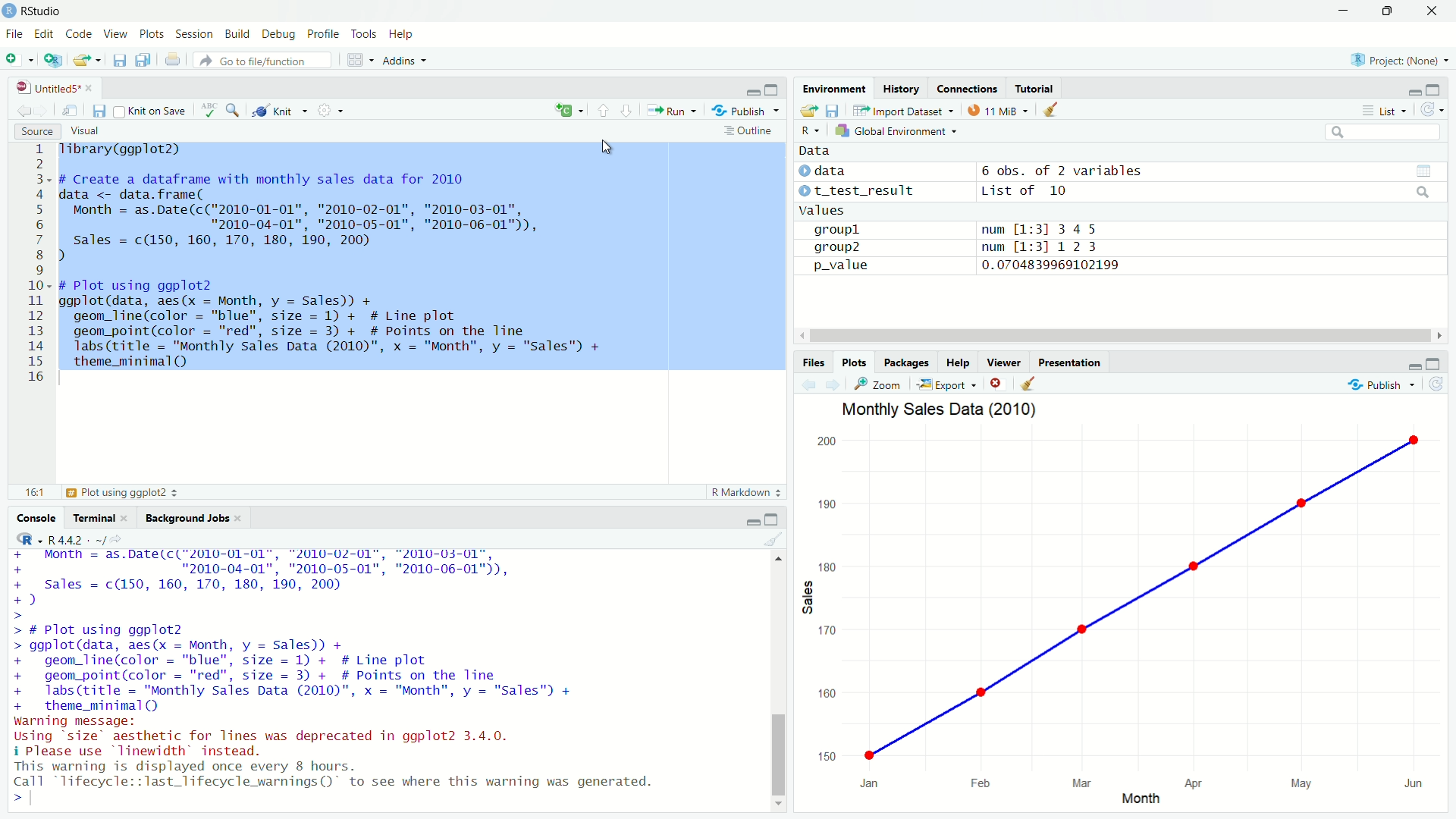 The height and width of the screenshot is (819, 1456). What do you see at coordinates (35, 516) in the screenshot?
I see `Console` at bounding box center [35, 516].